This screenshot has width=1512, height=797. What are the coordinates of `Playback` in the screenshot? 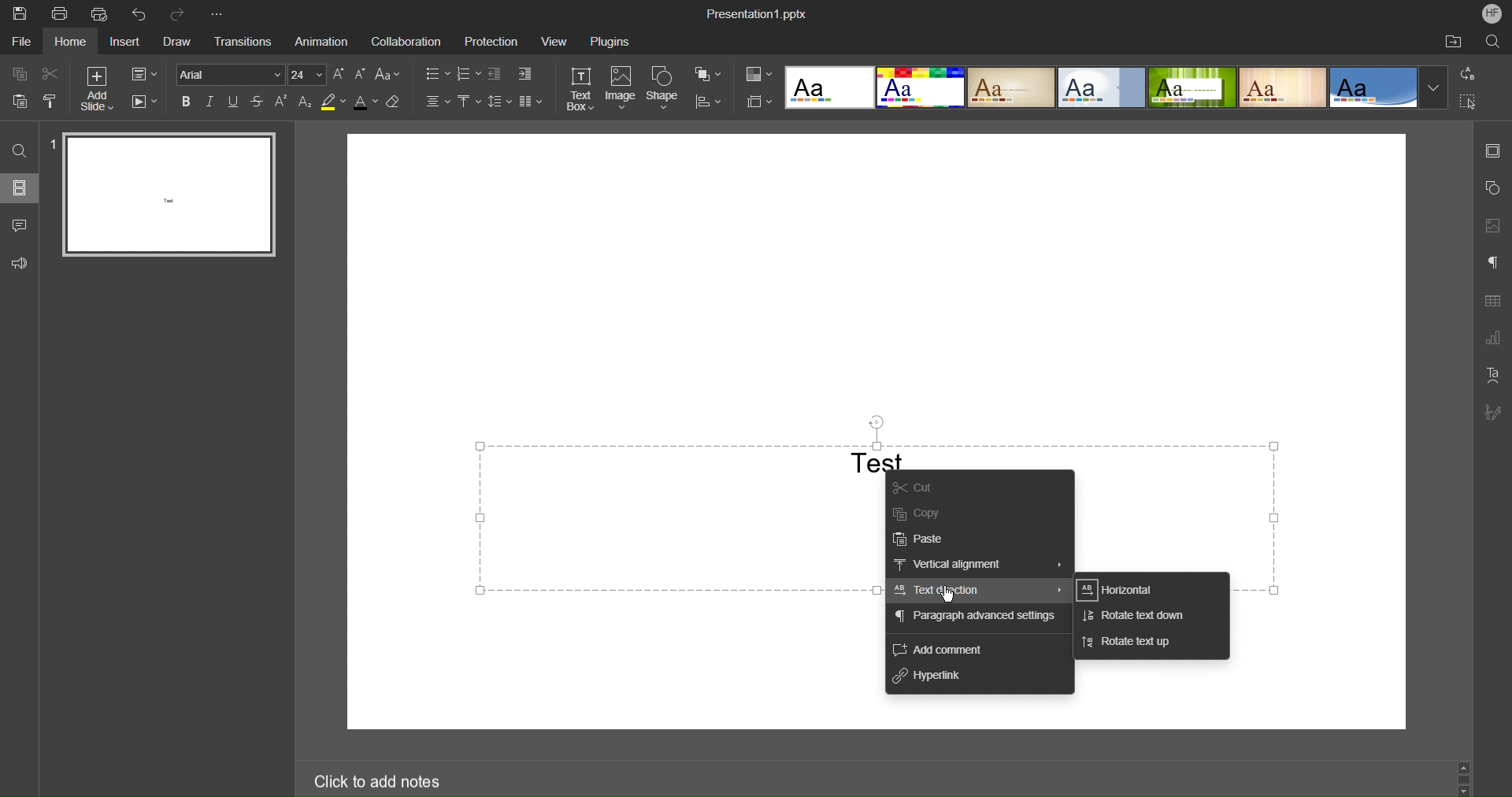 It's located at (146, 102).